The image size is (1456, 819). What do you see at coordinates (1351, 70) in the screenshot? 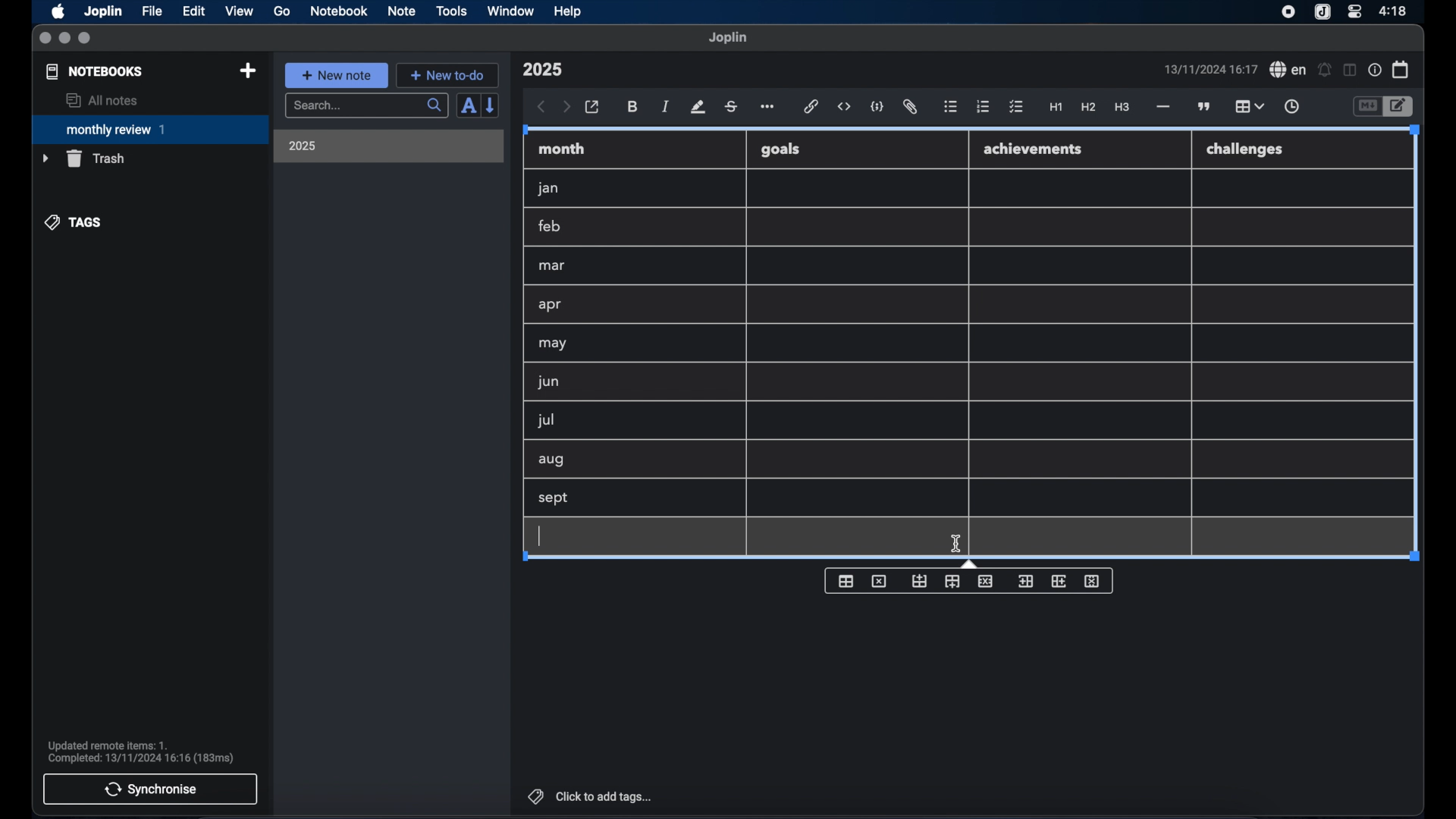
I see `toggle editor layout` at bounding box center [1351, 70].